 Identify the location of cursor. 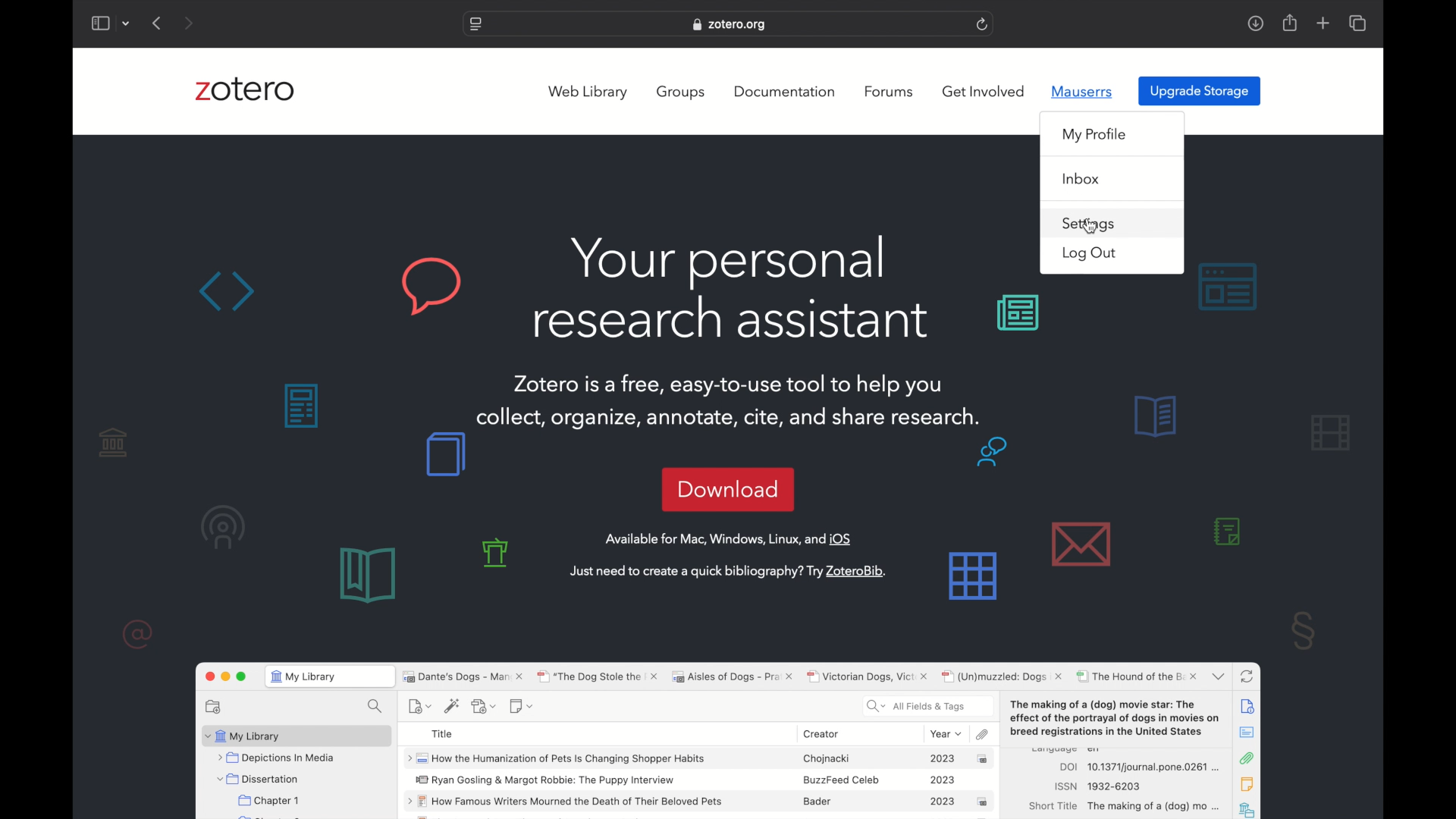
(1090, 226).